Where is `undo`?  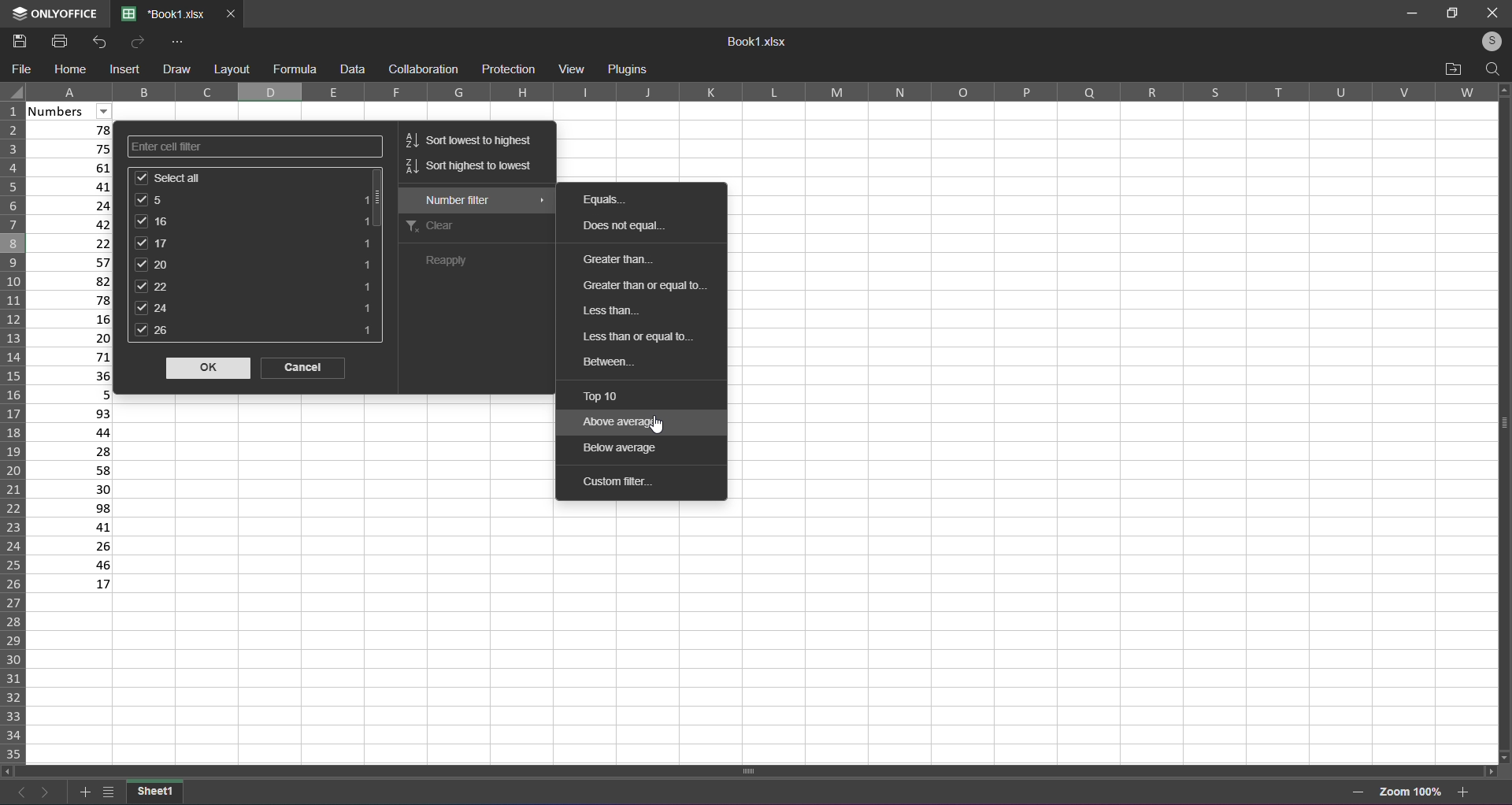
undo is located at coordinates (102, 42).